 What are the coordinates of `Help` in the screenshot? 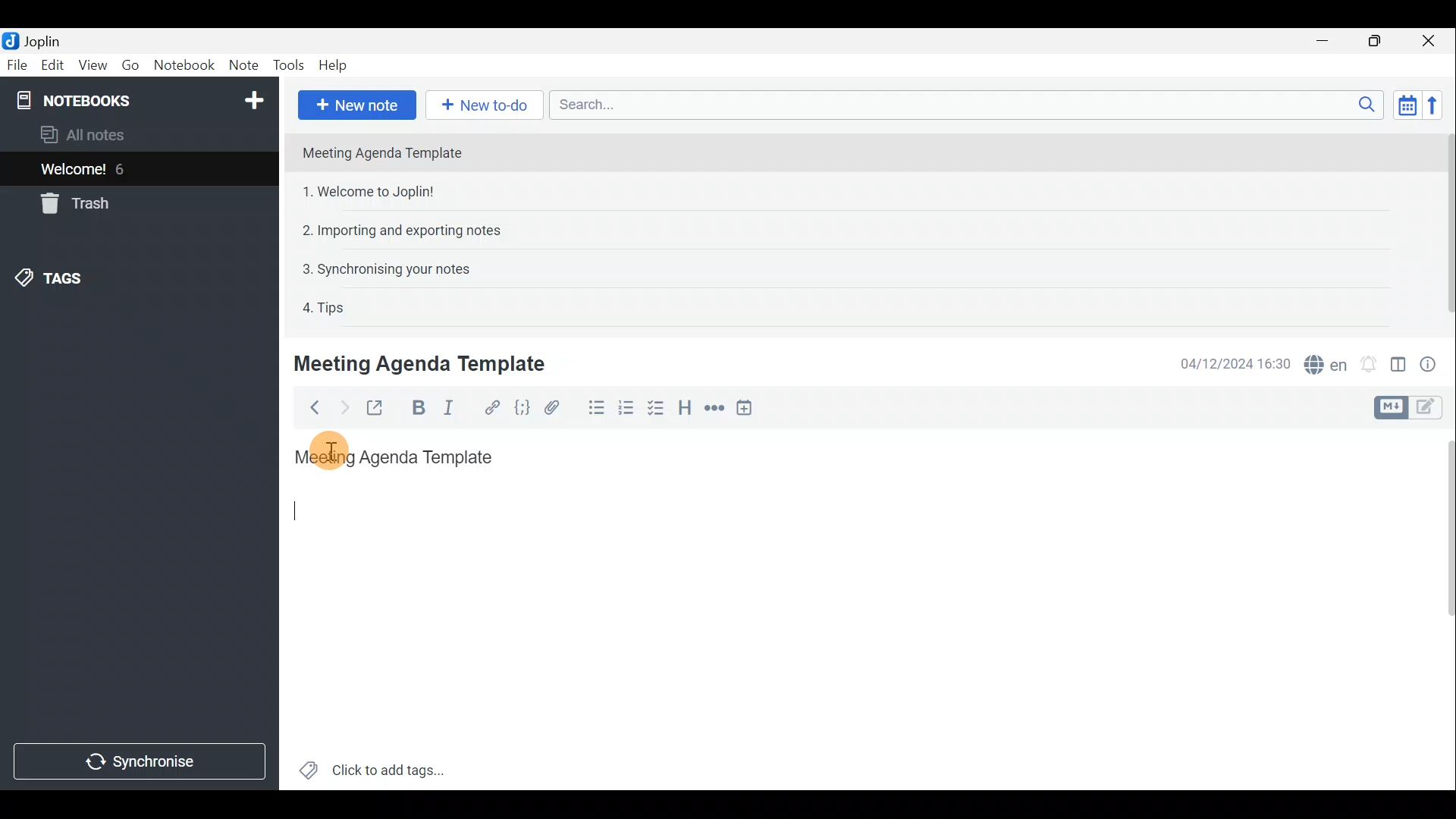 It's located at (336, 65).